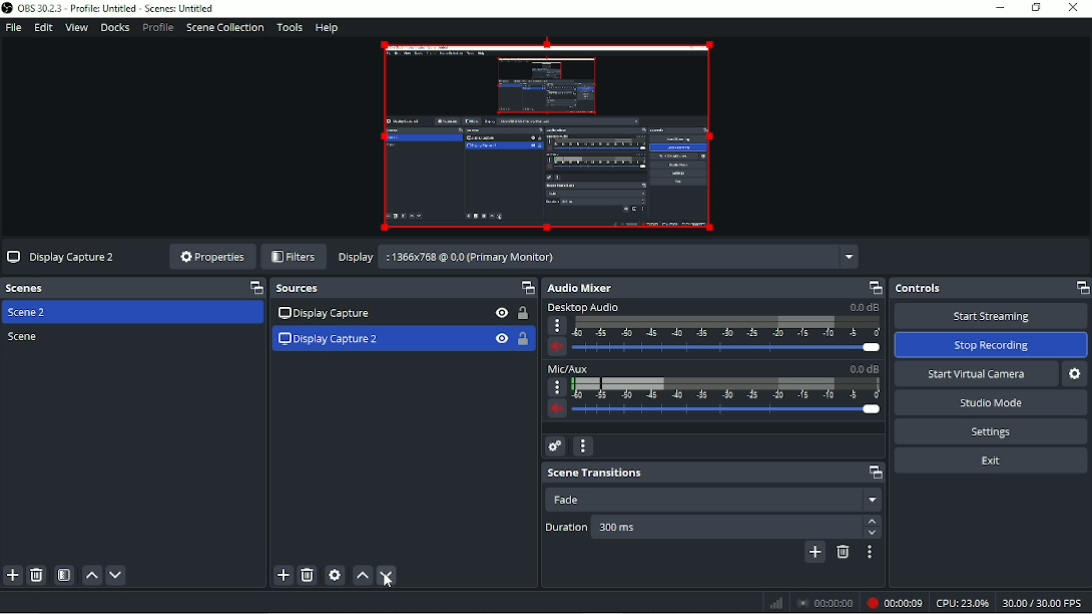 The image size is (1092, 614). I want to click on Graph, so click(773, 604).